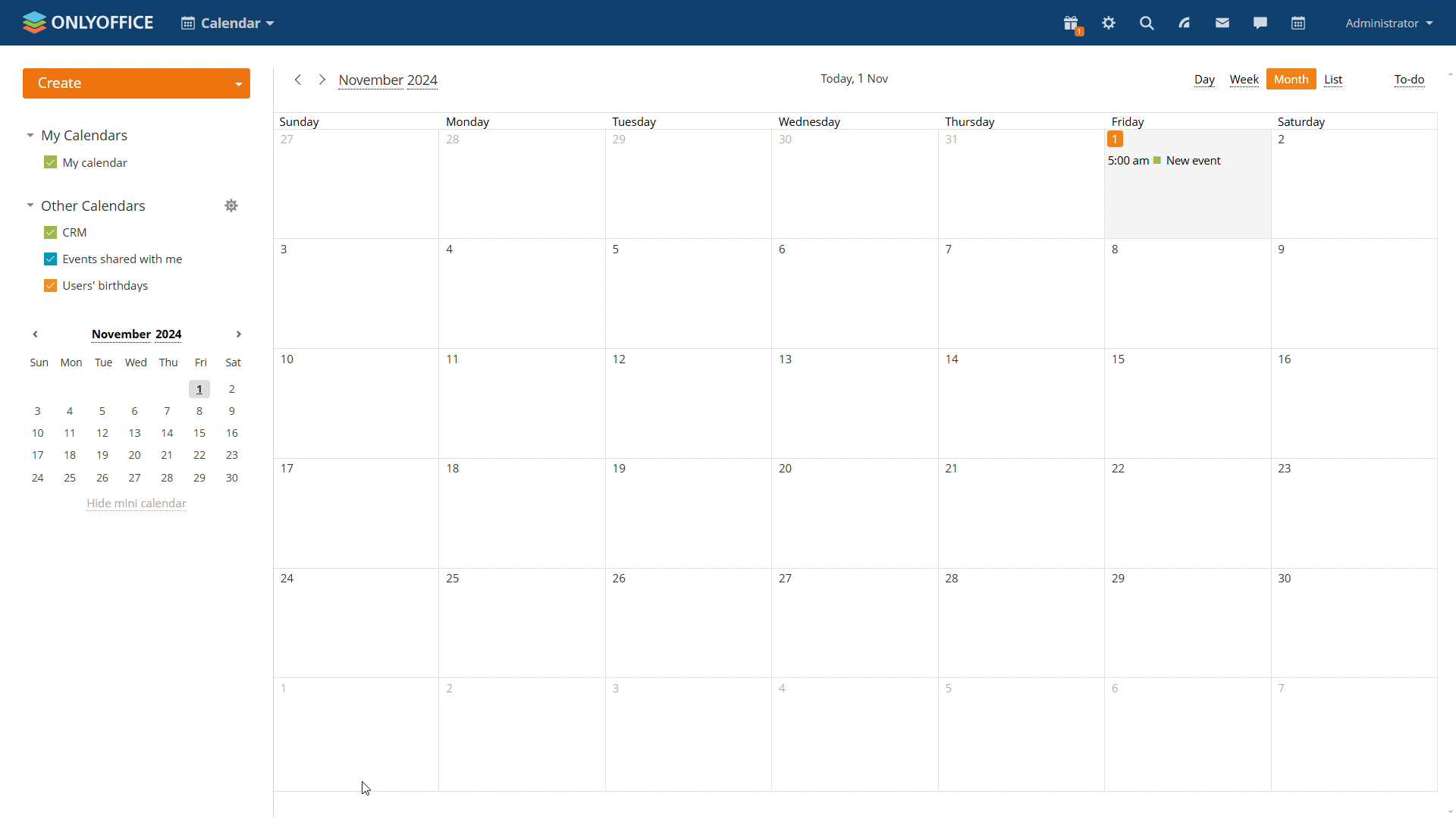  I want to click on to-do, so click(1409, 80).